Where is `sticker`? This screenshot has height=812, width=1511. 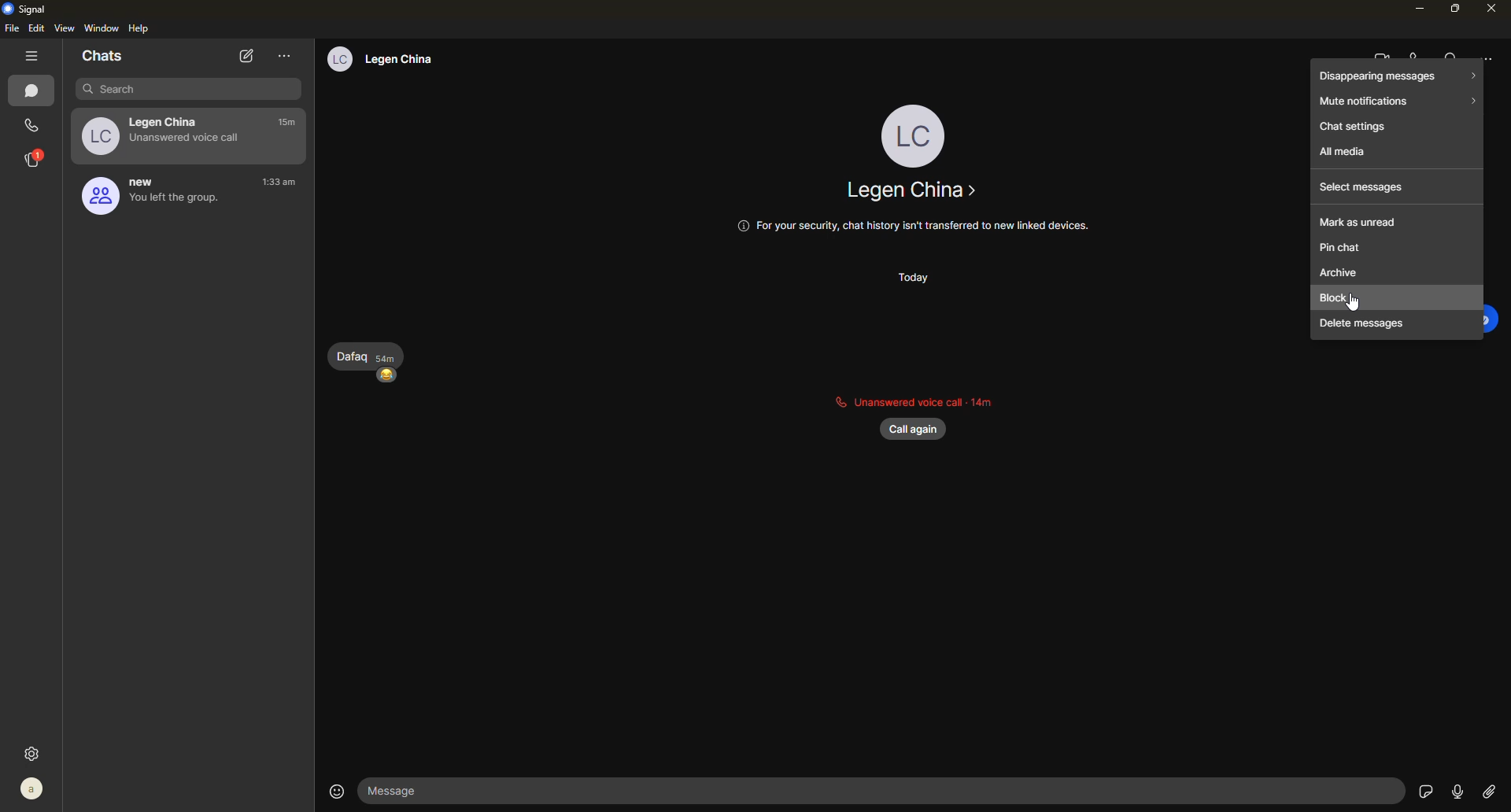
sticker is located at coordinates (1422, 791).